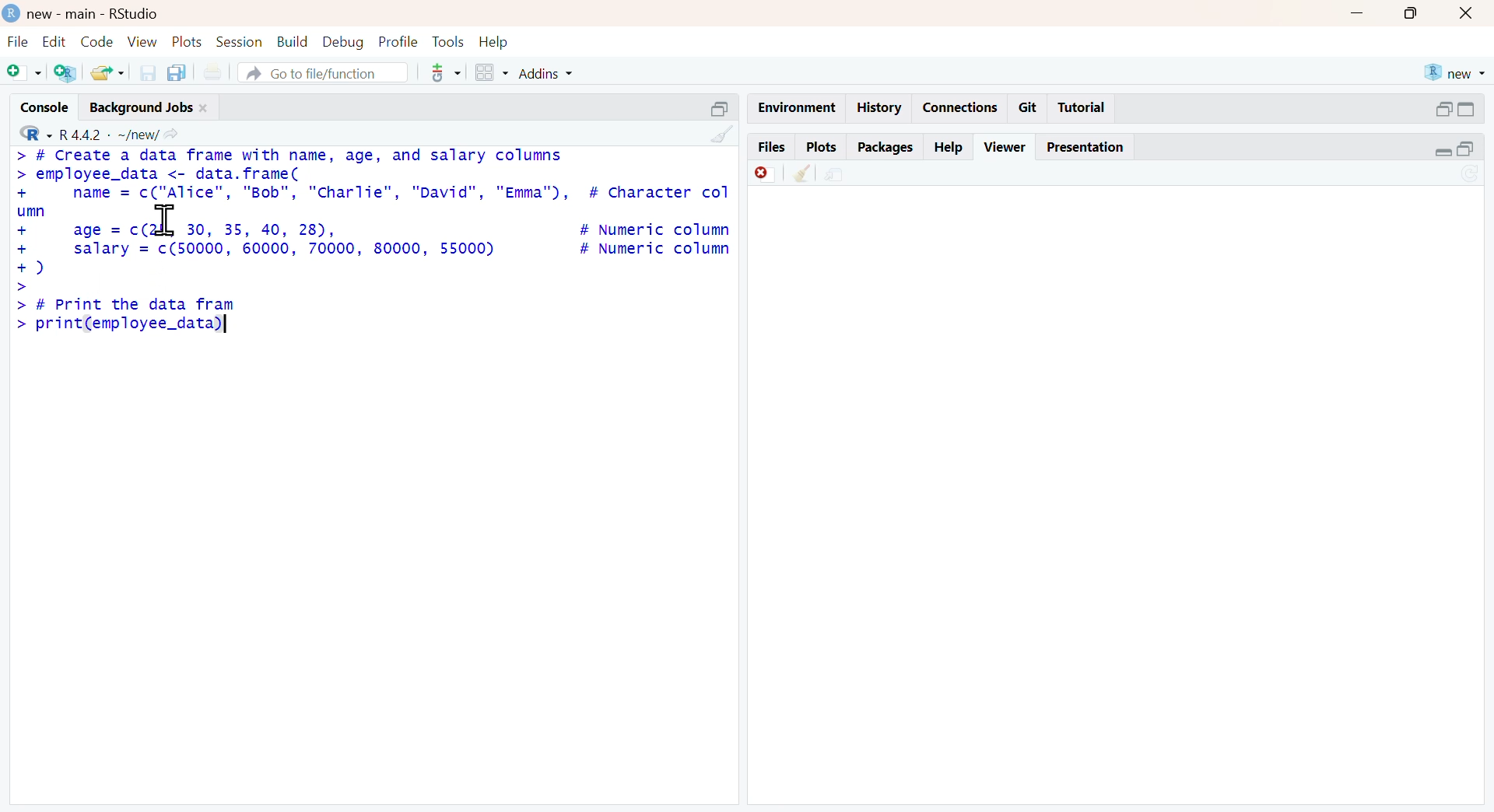 The width and height of the screenshot is (1494, 812). What do you see at coordinates (1455, 70) in the screenshot?
I see `new R project` at bounding box center [1455, 70].